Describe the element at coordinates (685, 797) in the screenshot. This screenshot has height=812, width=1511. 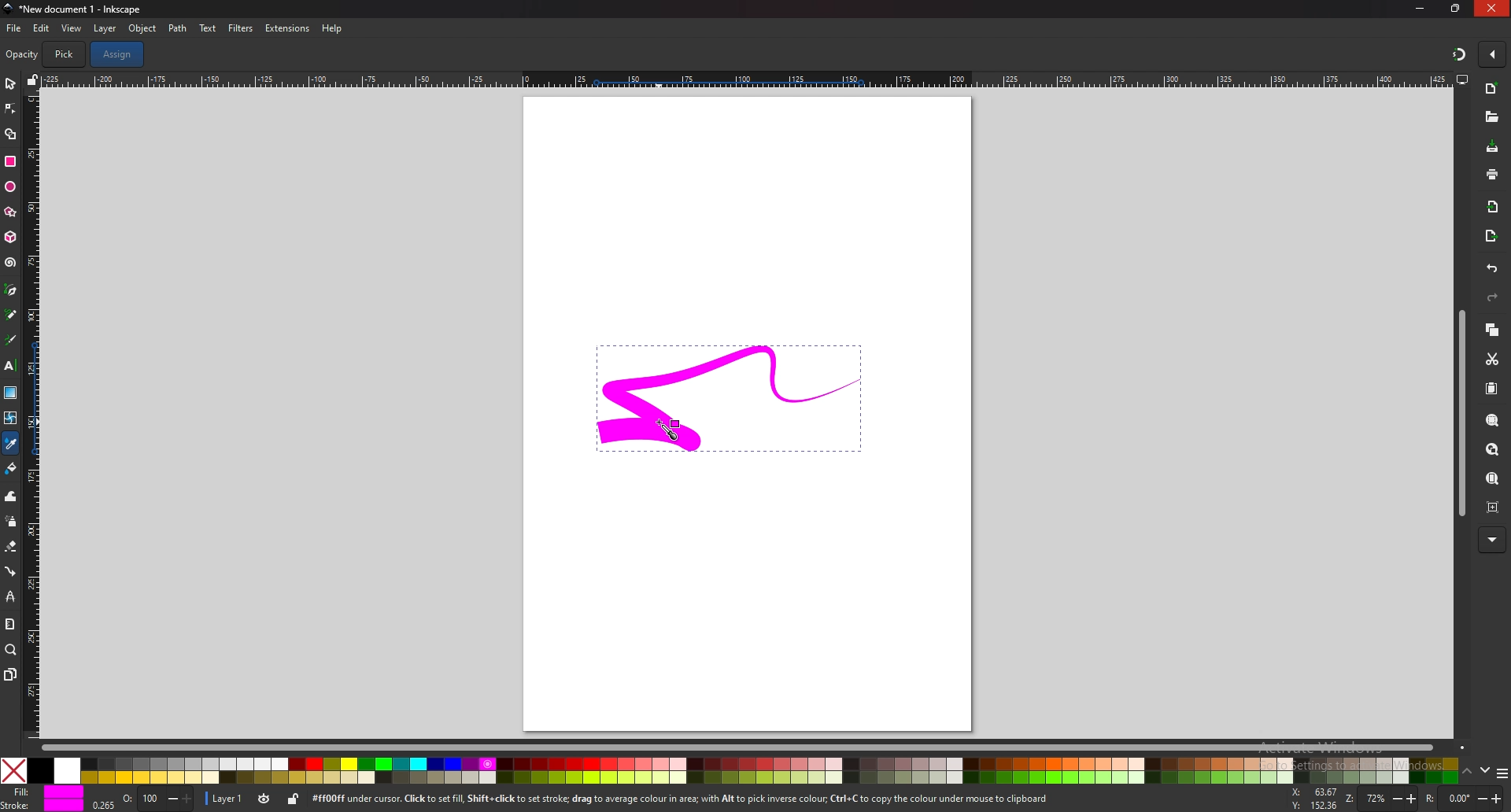
I see `info` at that location.